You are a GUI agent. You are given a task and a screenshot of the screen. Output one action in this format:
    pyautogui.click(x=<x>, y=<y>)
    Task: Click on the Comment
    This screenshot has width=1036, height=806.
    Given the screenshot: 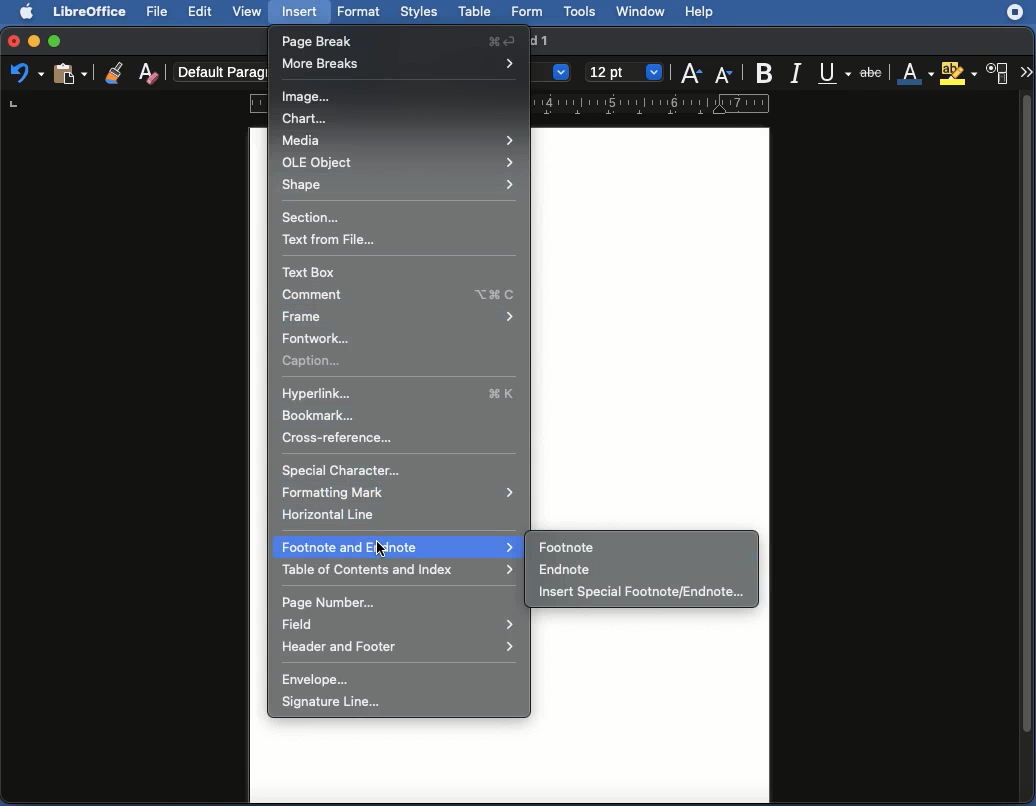 What is the action you would take?
    pyautogui.click(x=398, y=294)
    